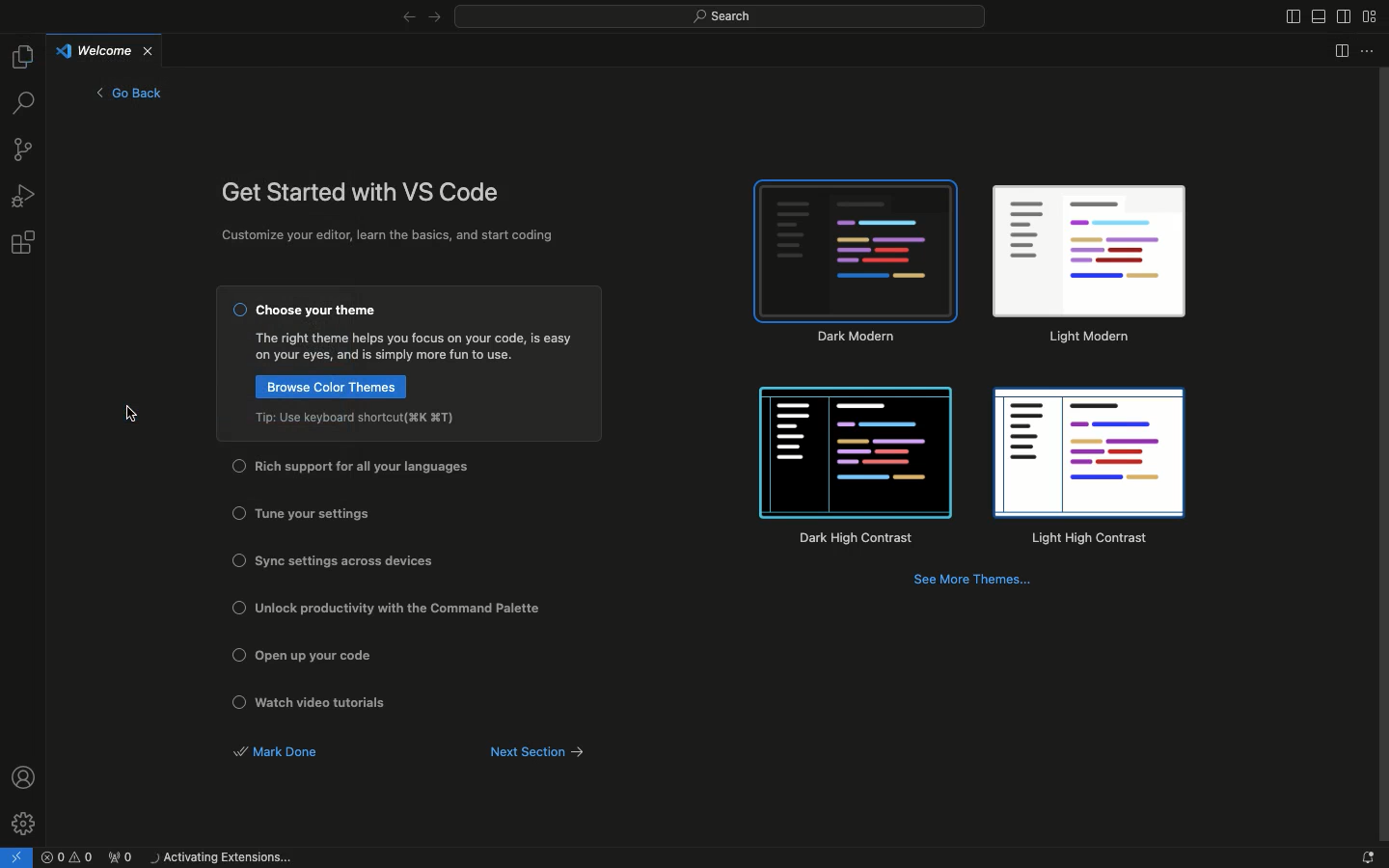 This screenshot has width=1389, height=868. Describe the element at coordinates (359, 418) in the screenshot. I see `Top` at that location.